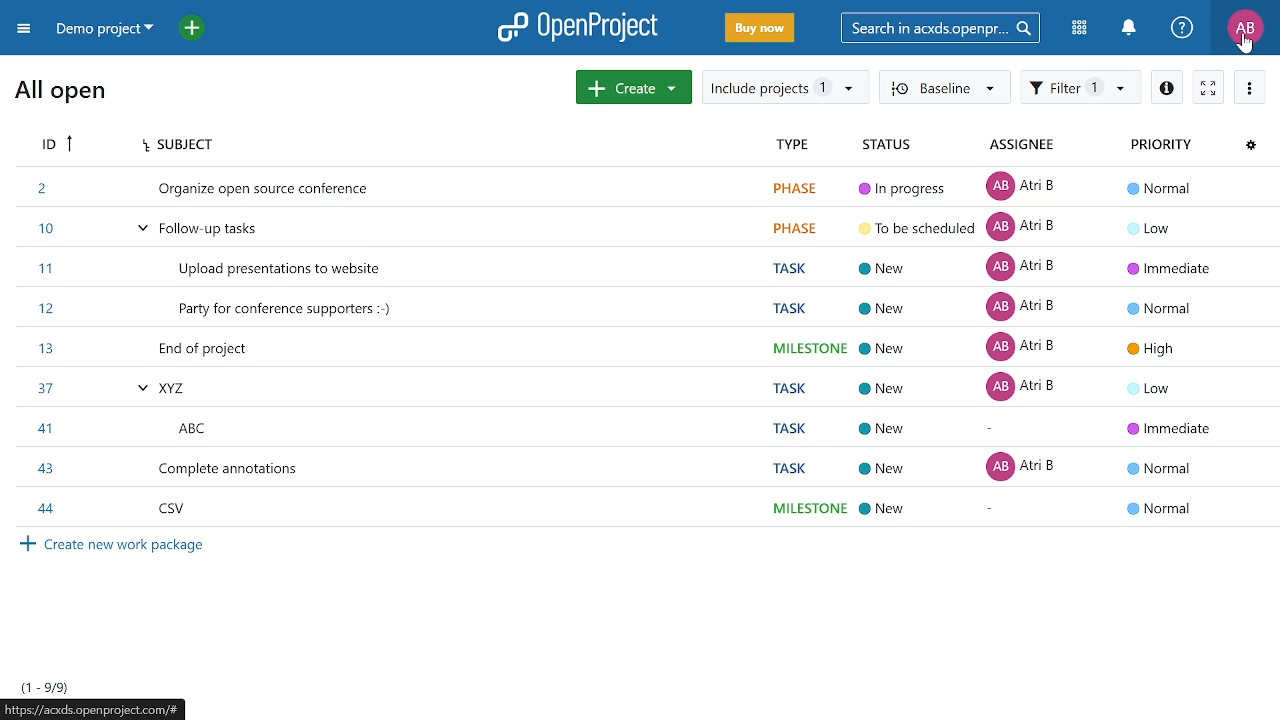  What do you see at coordinates (146, 554) in the screenshot?
I see `Create new work package` at bounding box center [146, 554].